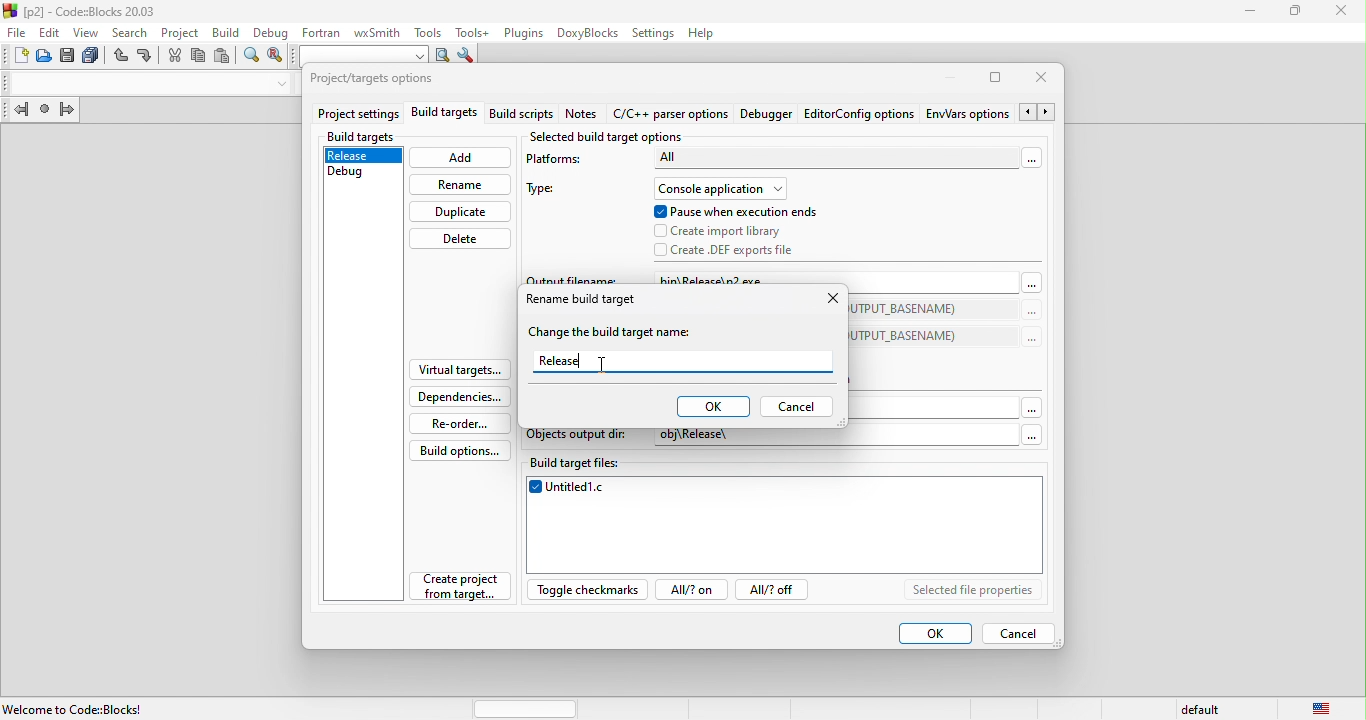 The width and height of the screenshot is (1366, 720). Describe the element at coordinates (466, 57) in the screenshot. I see `show options window` at that location.